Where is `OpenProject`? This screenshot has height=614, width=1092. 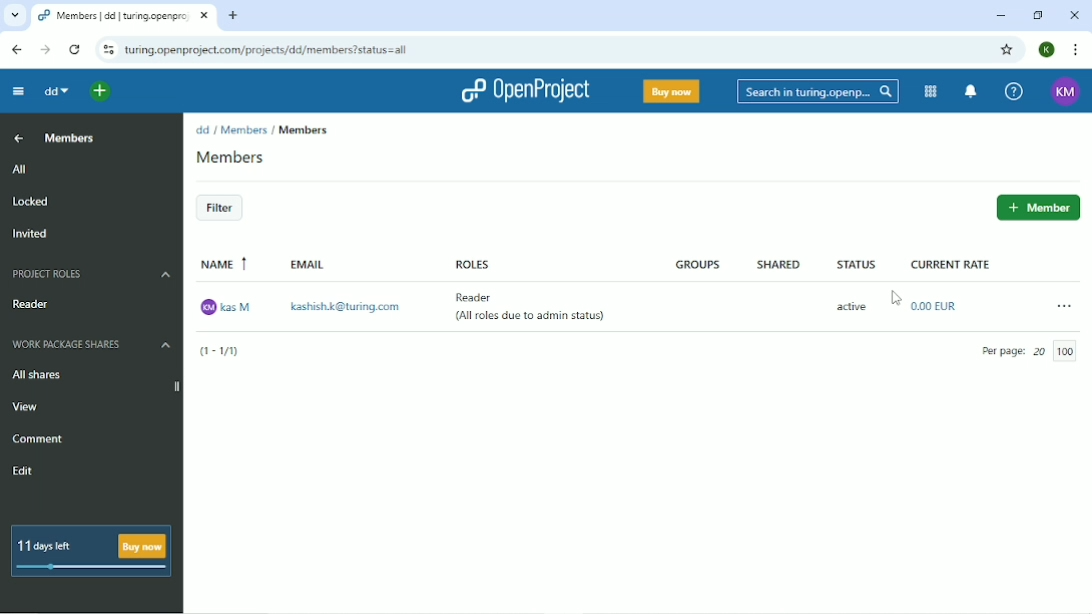 OpenProject is located at coordinates (527, 90).